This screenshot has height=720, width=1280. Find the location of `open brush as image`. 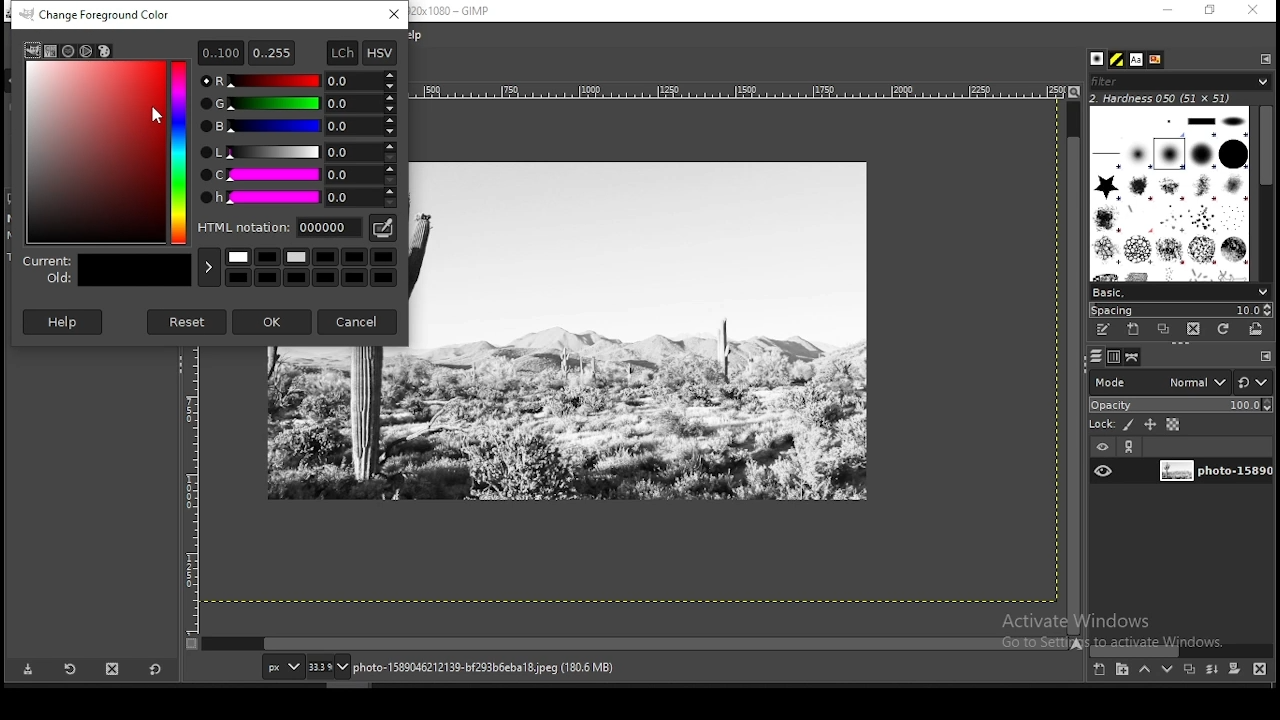

open brush as image is located at coordinates (1257, 330).